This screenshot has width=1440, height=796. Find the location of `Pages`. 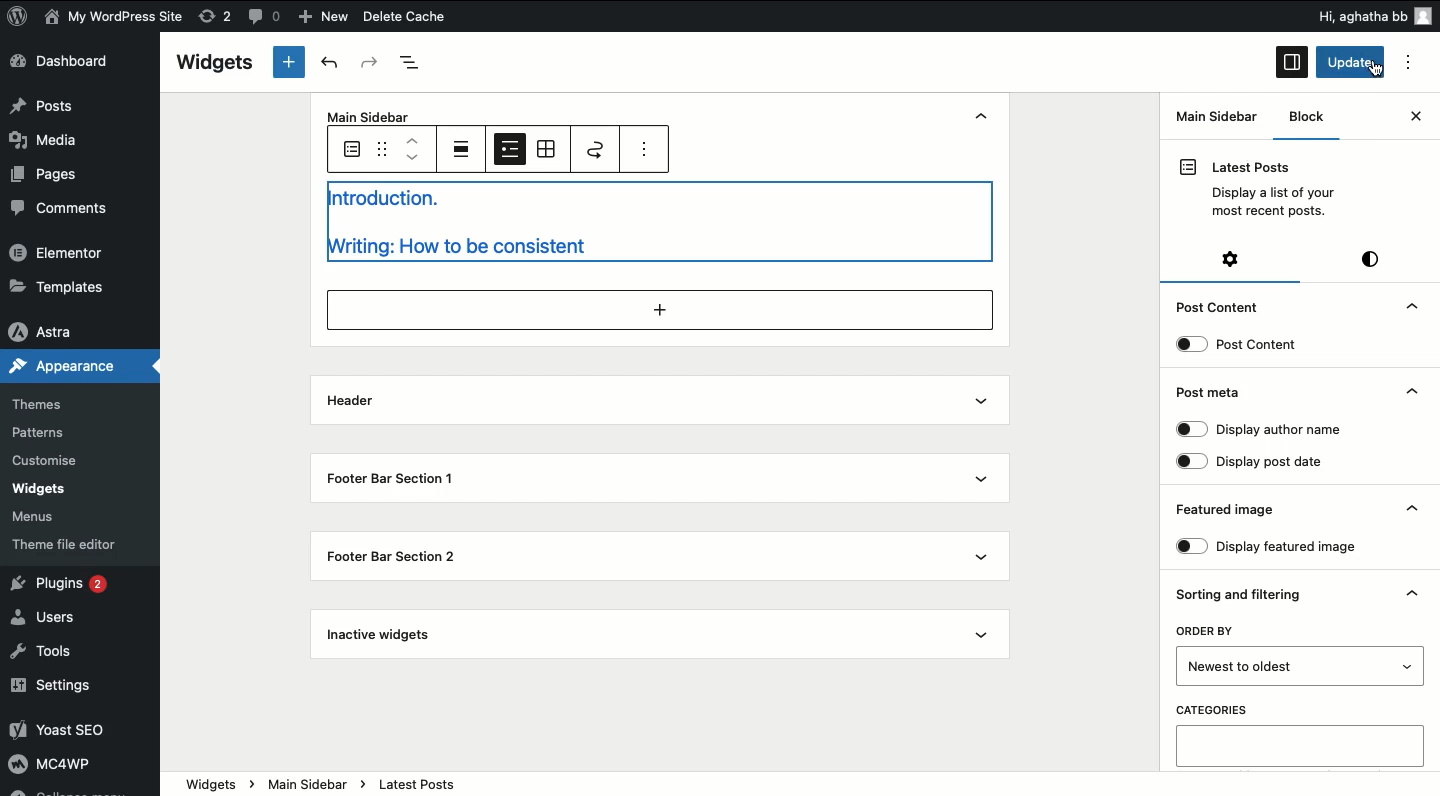

Pages is located at coordinates (45, 174).